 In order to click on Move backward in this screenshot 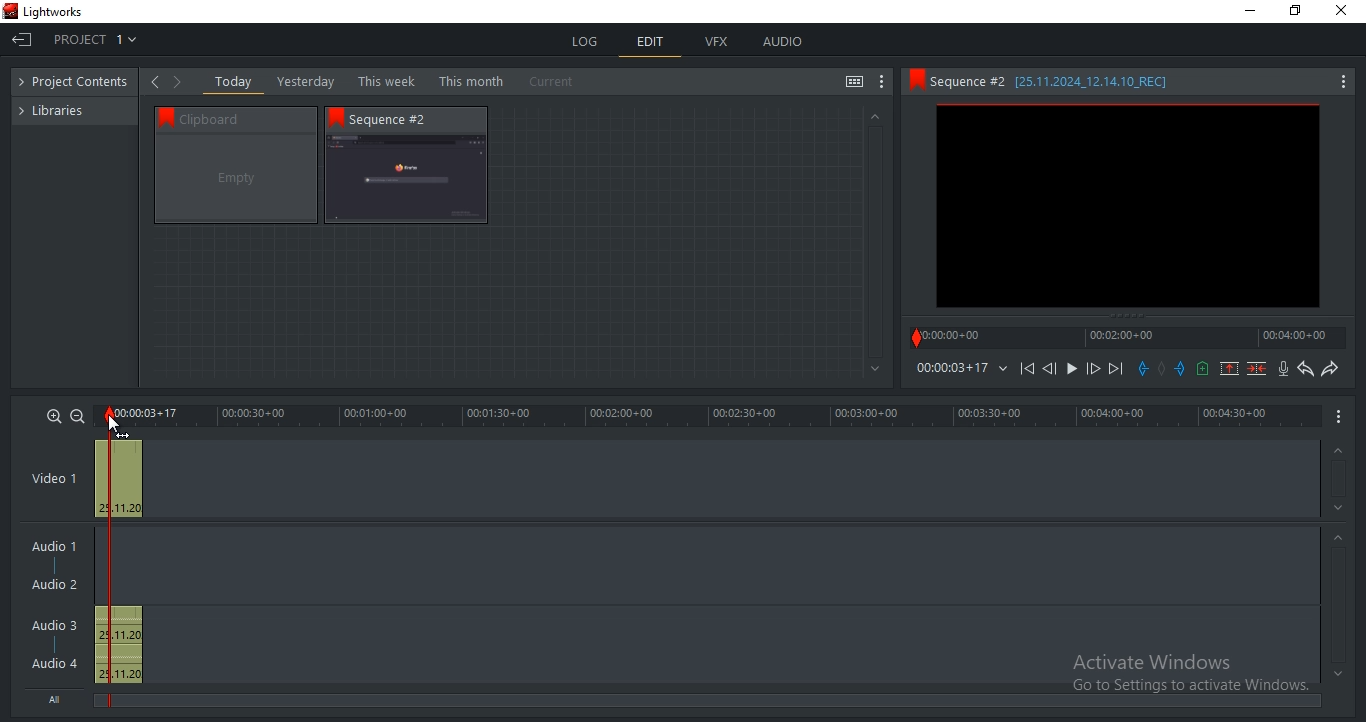, I will do `click(1030, 373)`.